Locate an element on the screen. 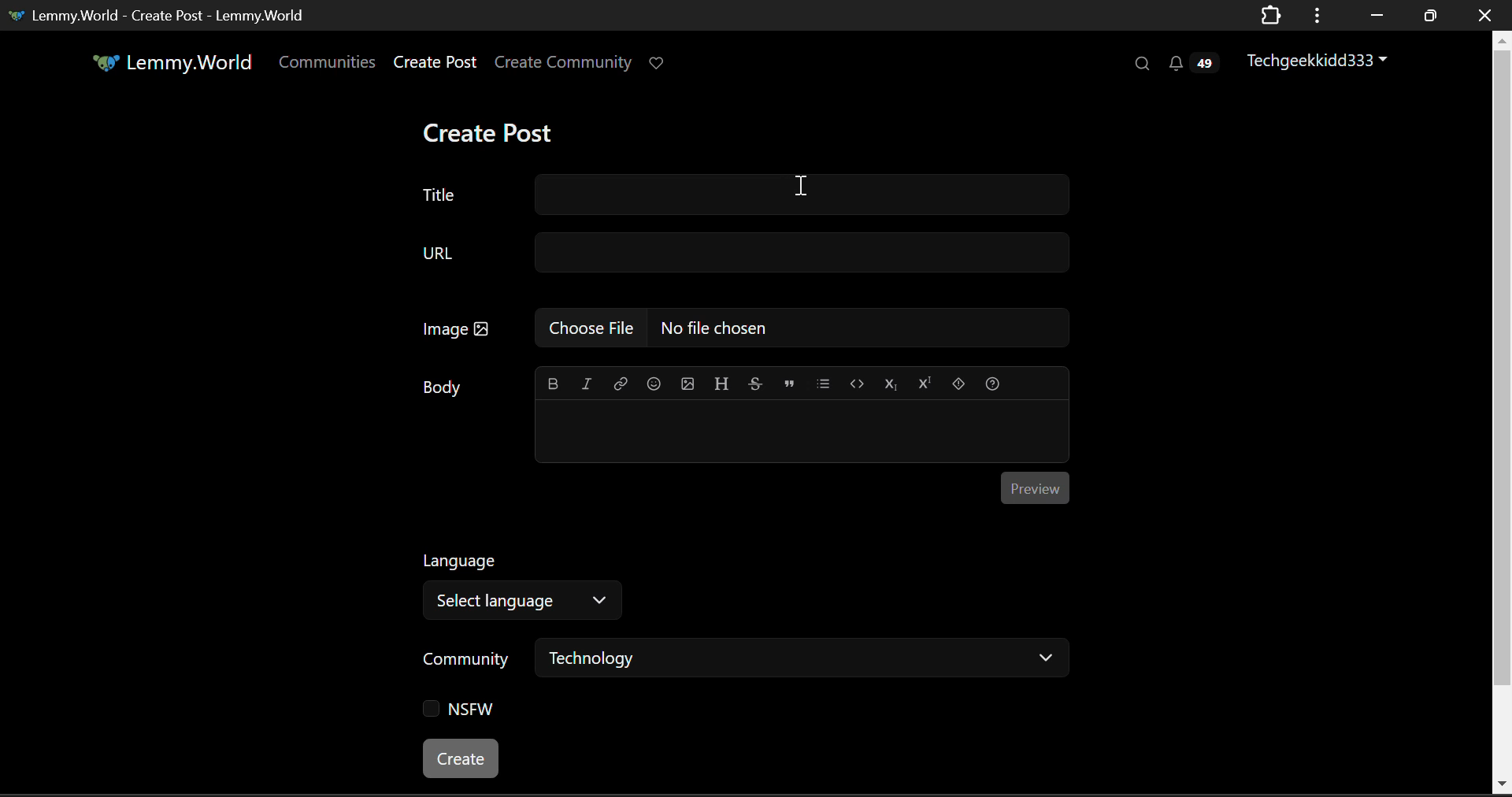 This screenshot has height=797, width=1512. Vertical Scroll Bar is located at coordinates (1503, 413).